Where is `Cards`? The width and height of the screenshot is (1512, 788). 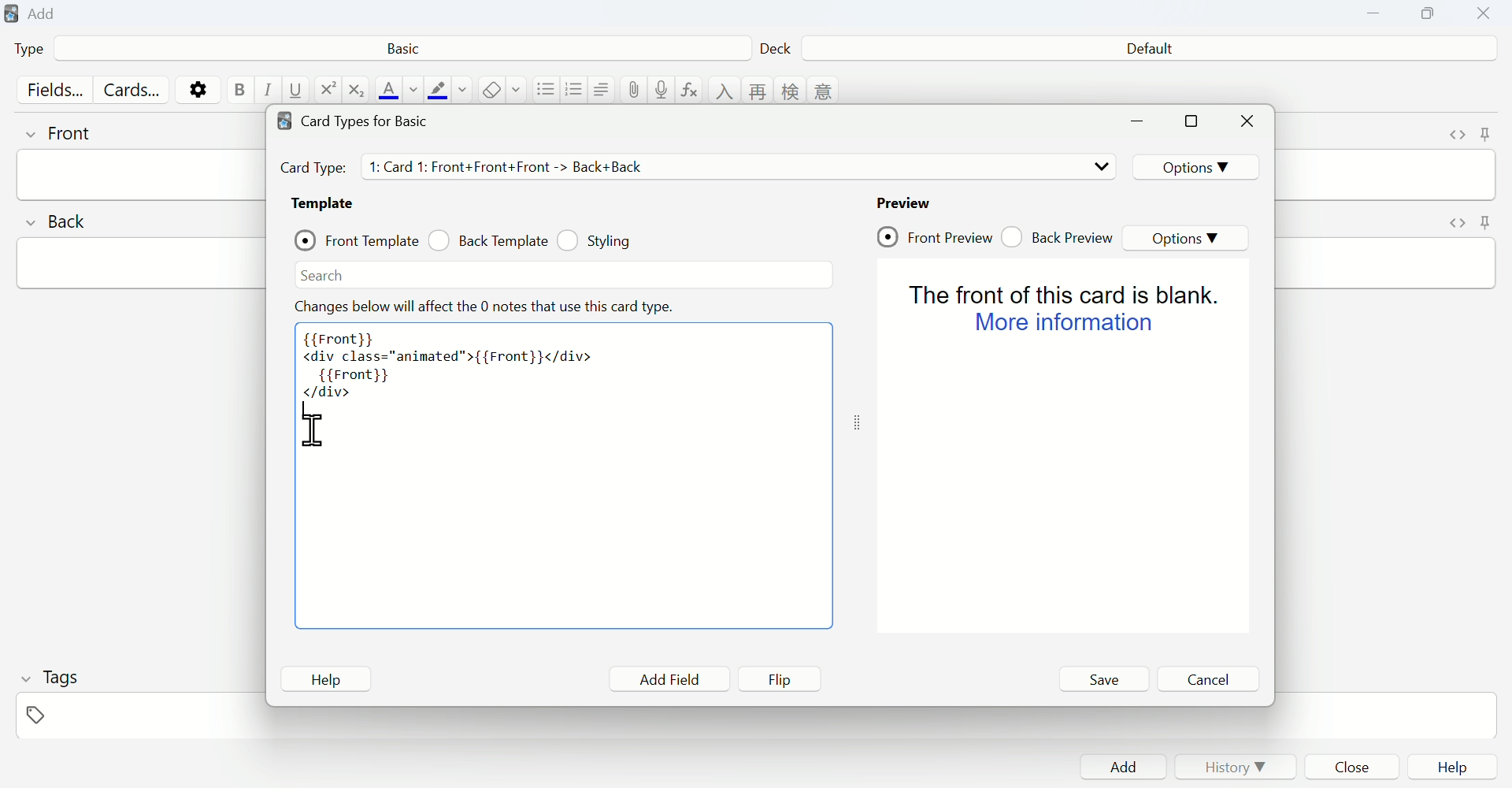 Cards is located at coordinates (132, 90).